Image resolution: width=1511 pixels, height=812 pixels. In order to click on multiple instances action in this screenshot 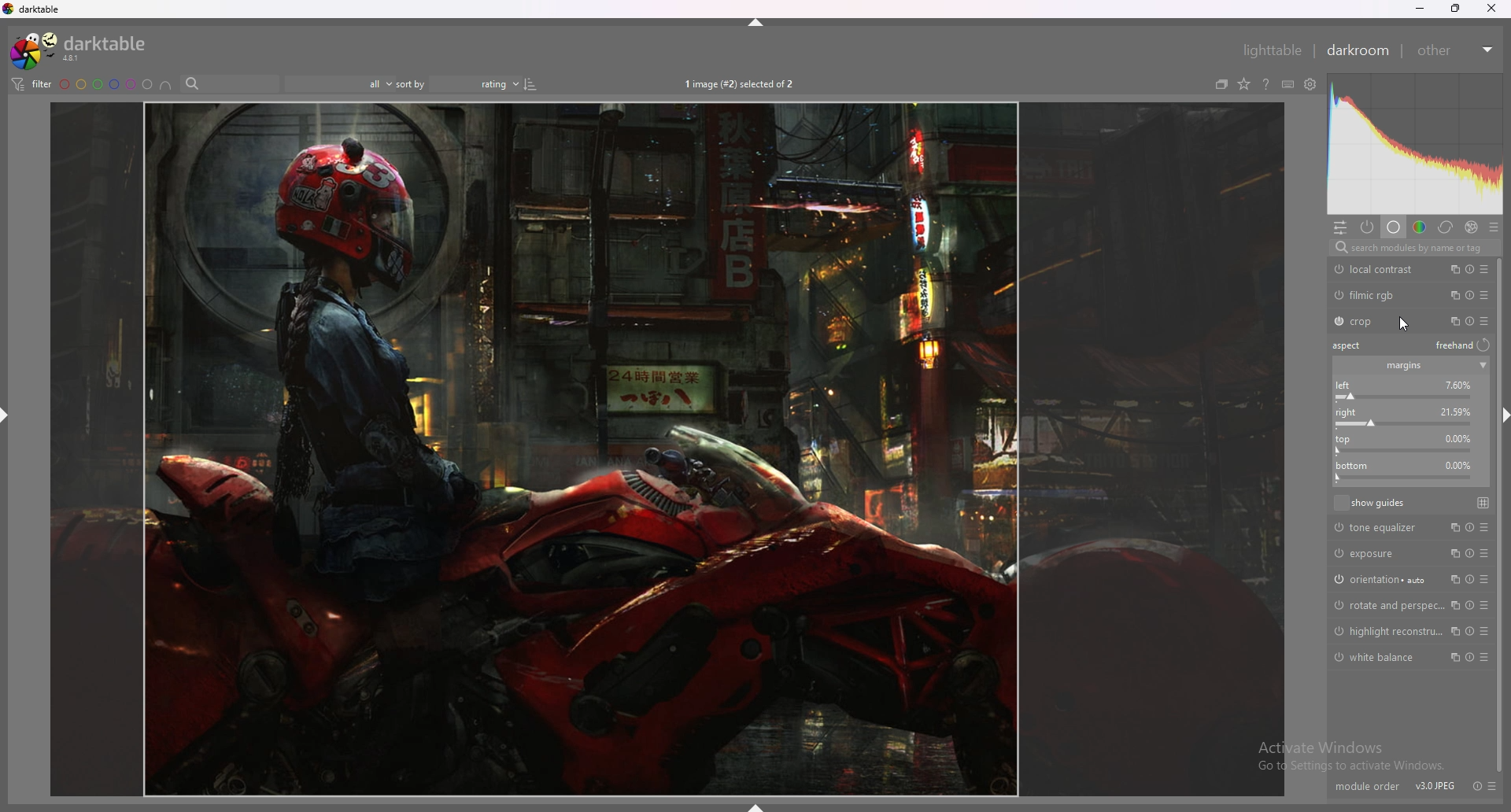, I will do `click(1452, 295)`.